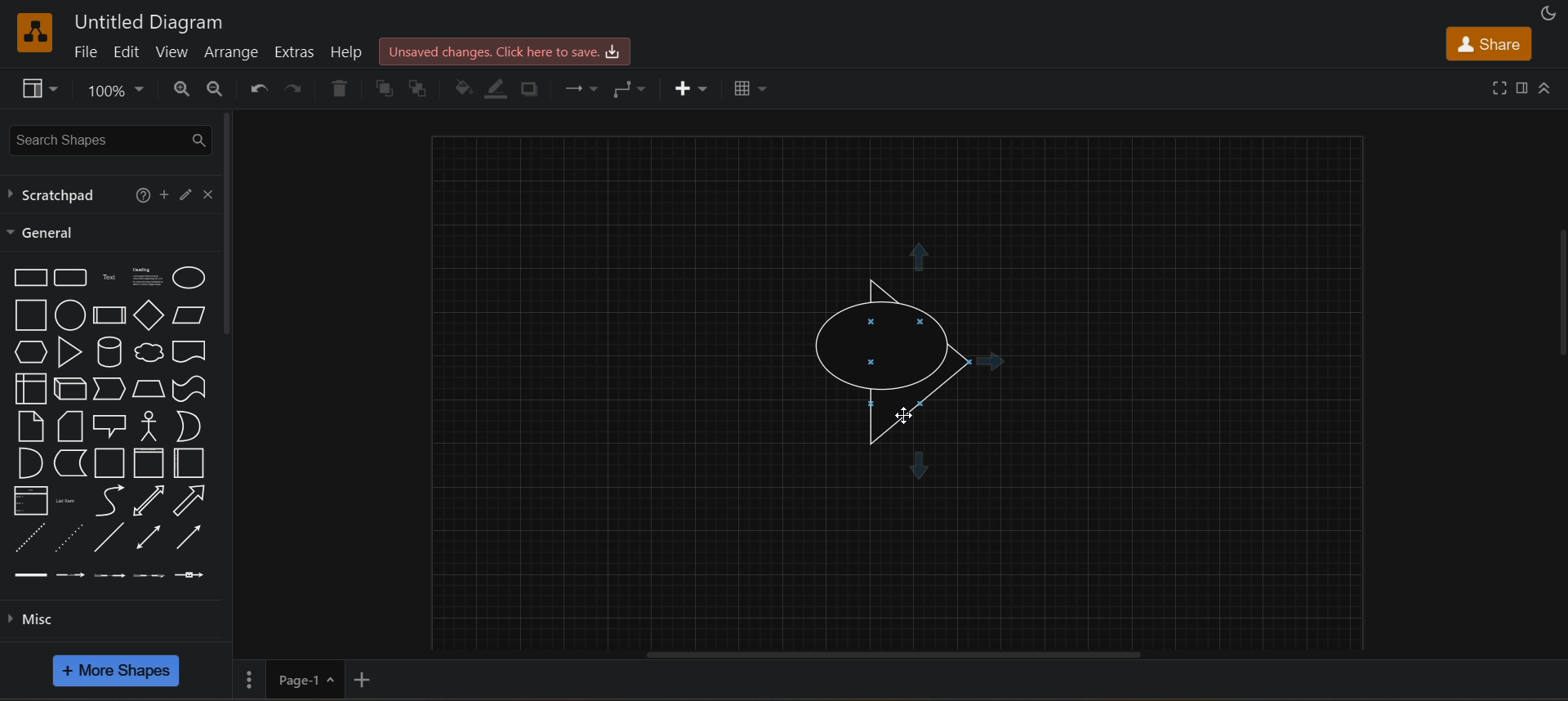 This screenshot has height=701, width=1568. I want to click on insert, so click(697, 90).